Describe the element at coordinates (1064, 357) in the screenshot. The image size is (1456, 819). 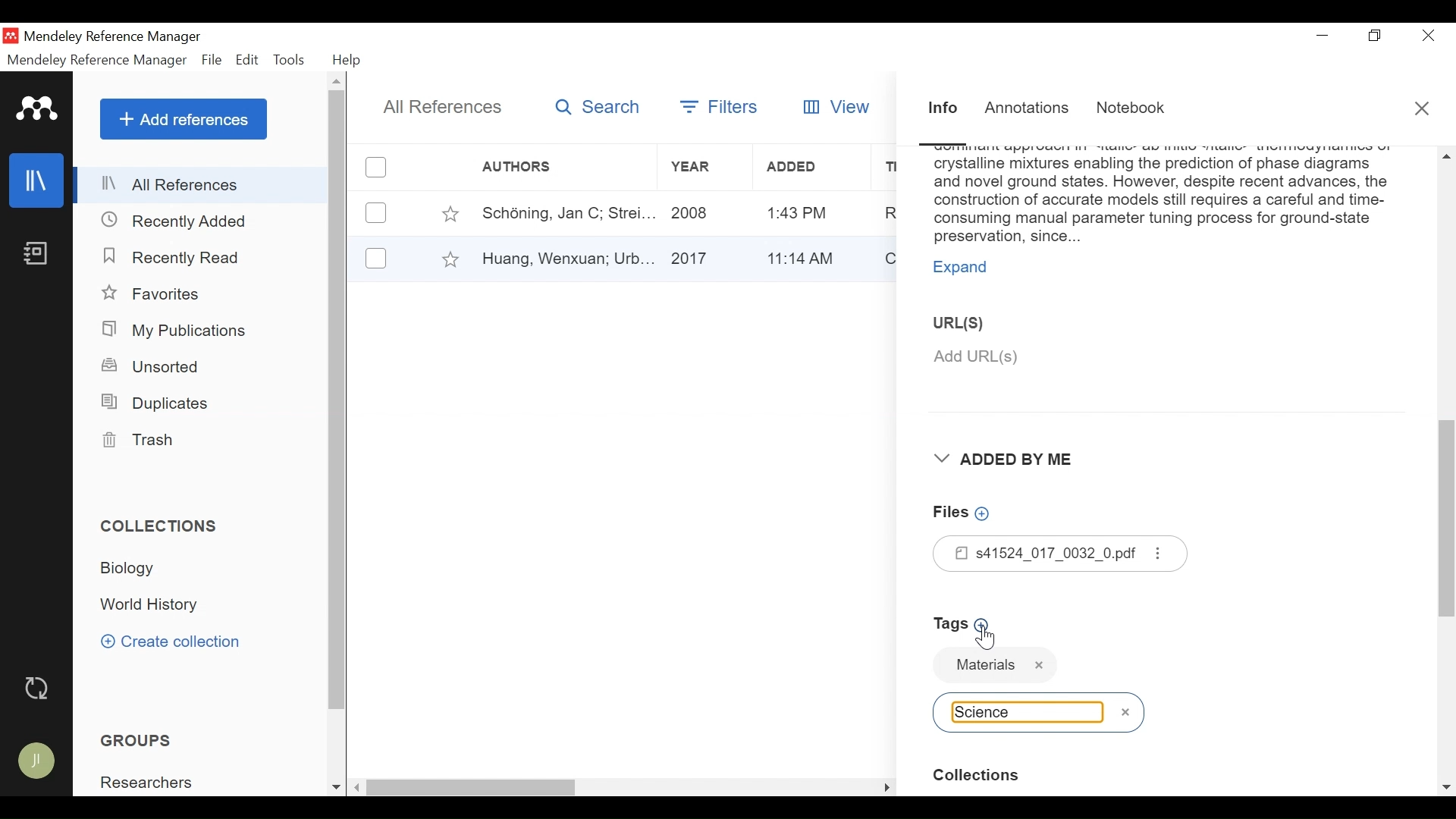
I see `Add URL(S)` at that location.